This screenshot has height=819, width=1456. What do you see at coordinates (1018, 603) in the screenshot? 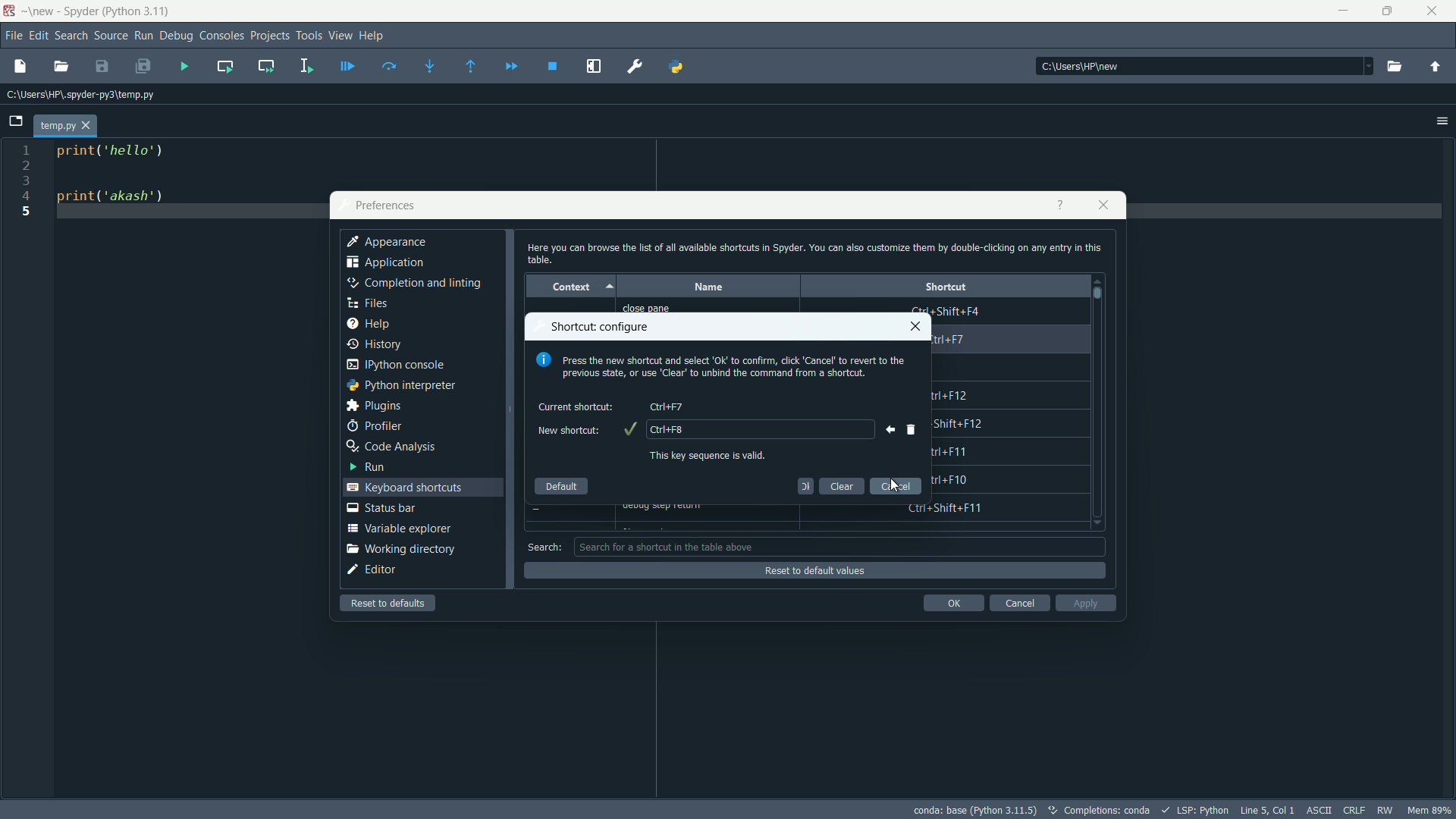
I see `cancel` at bounding box center [1018, 603].